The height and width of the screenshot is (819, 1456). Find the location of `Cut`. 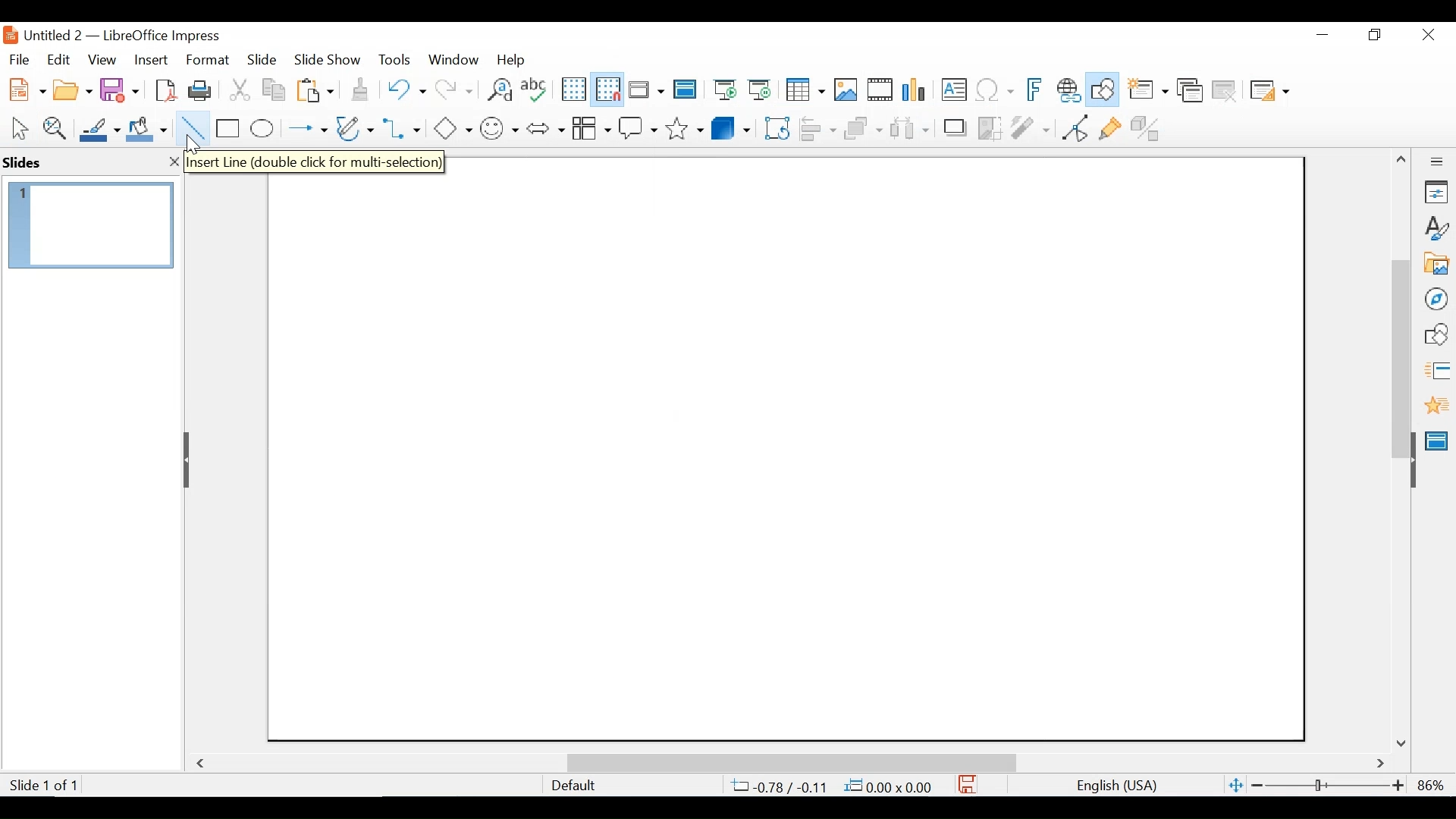

Cut is located at coordinates (238, 89).